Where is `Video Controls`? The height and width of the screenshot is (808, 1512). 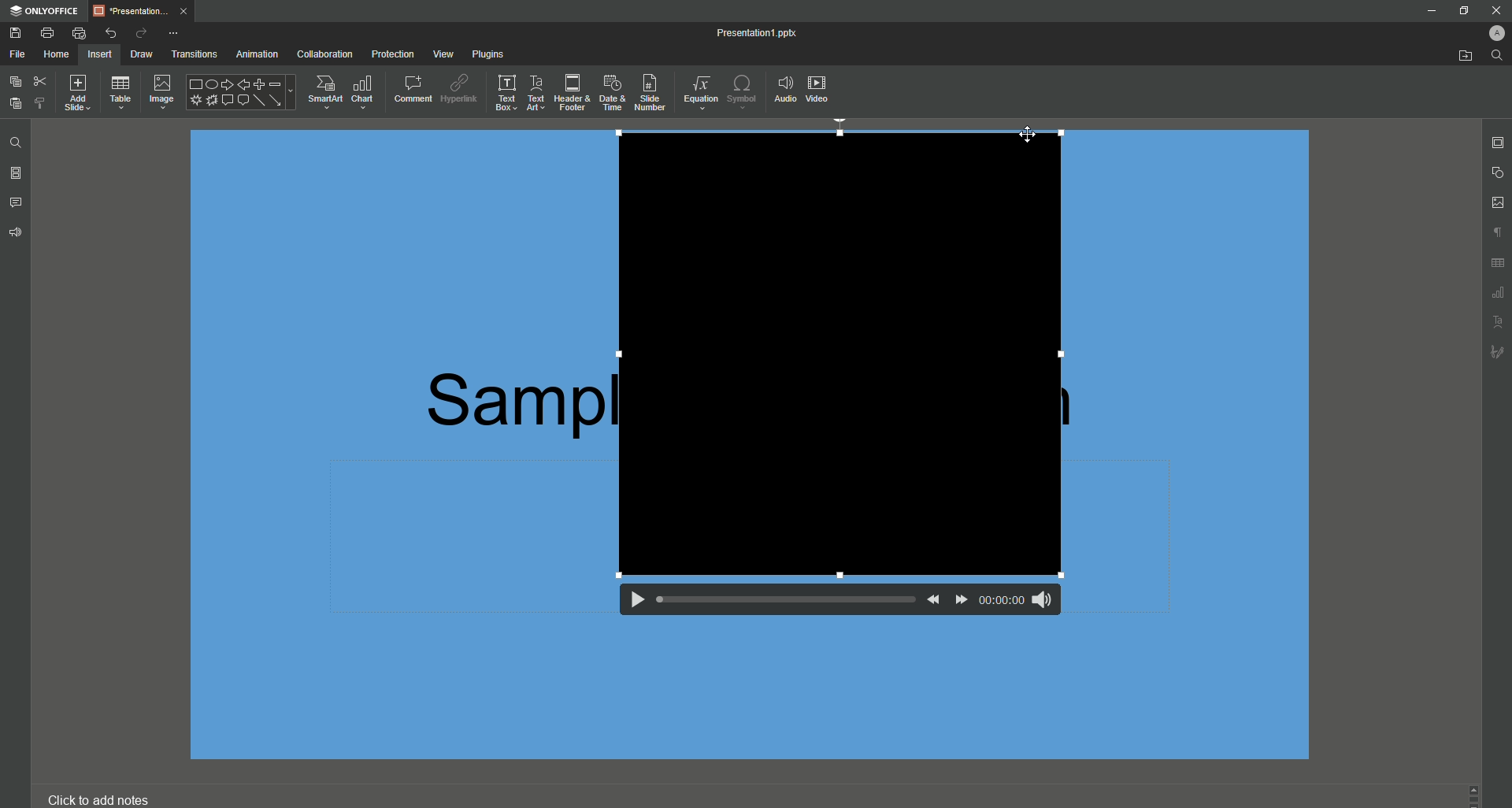 Video Controls is located at coordinates (831, 606).